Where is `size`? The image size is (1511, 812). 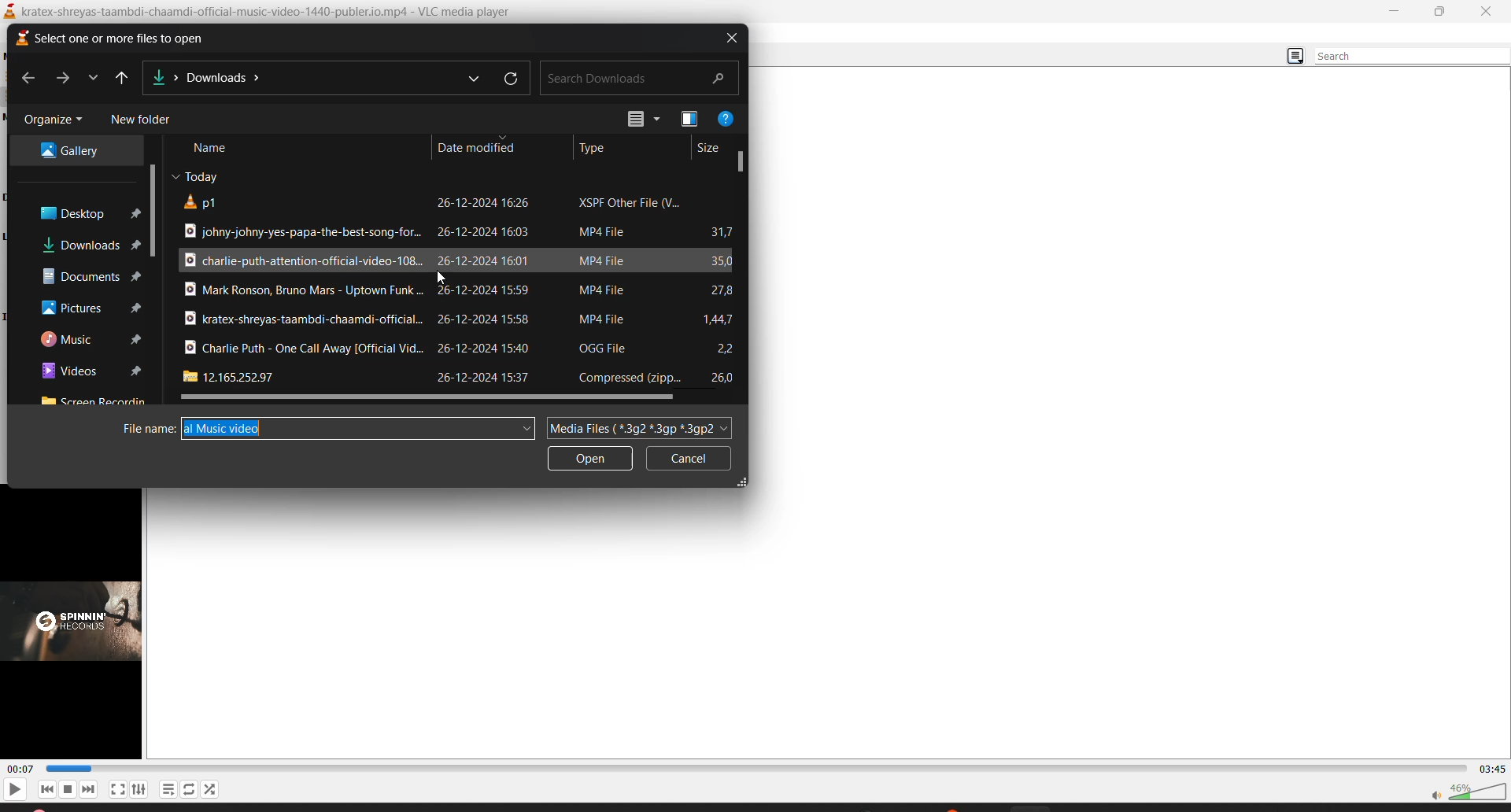
size is located at coordinates (708, 148).